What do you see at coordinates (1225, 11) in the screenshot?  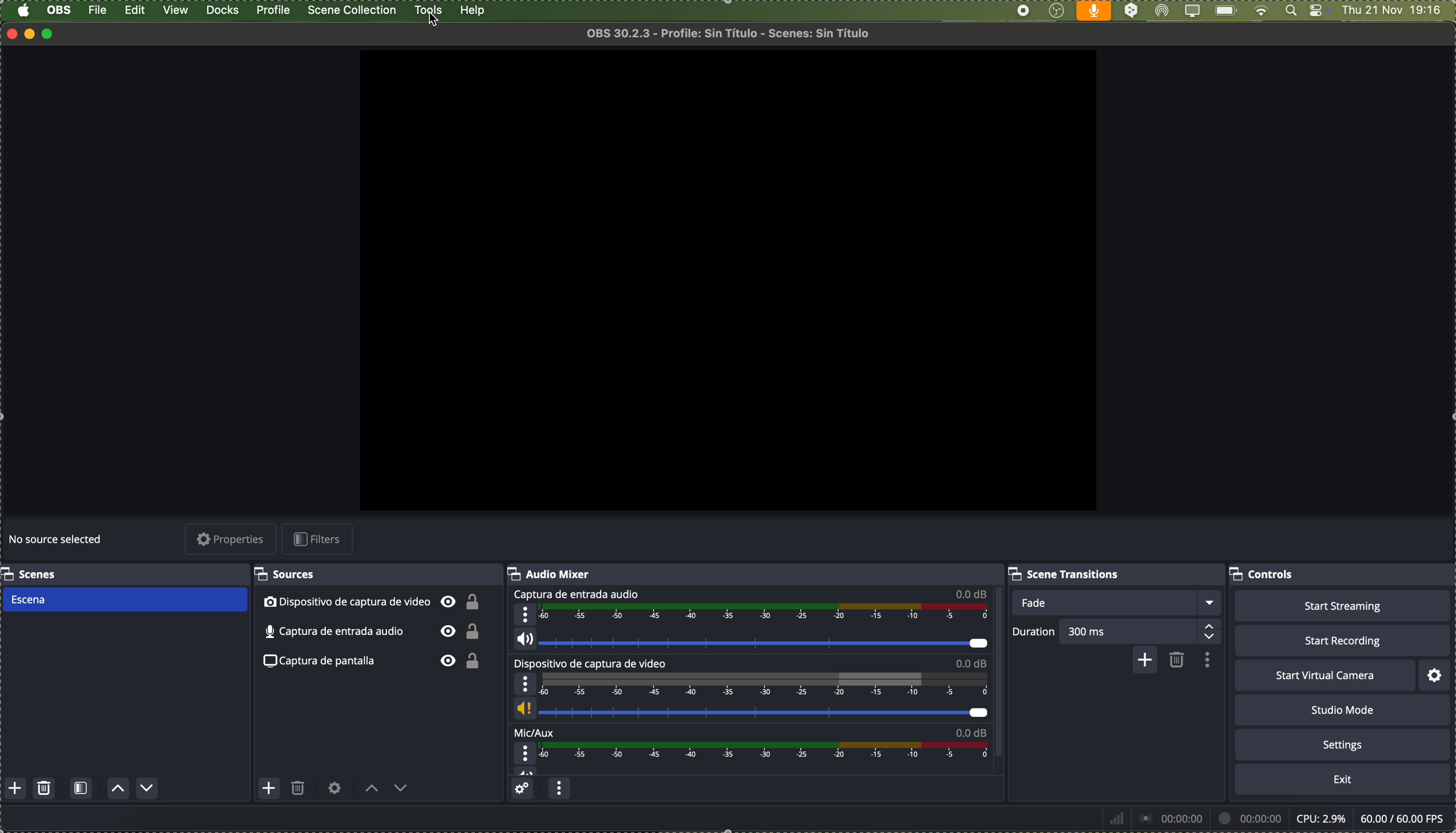 I see `battery` at bounding box center [1225, 11].